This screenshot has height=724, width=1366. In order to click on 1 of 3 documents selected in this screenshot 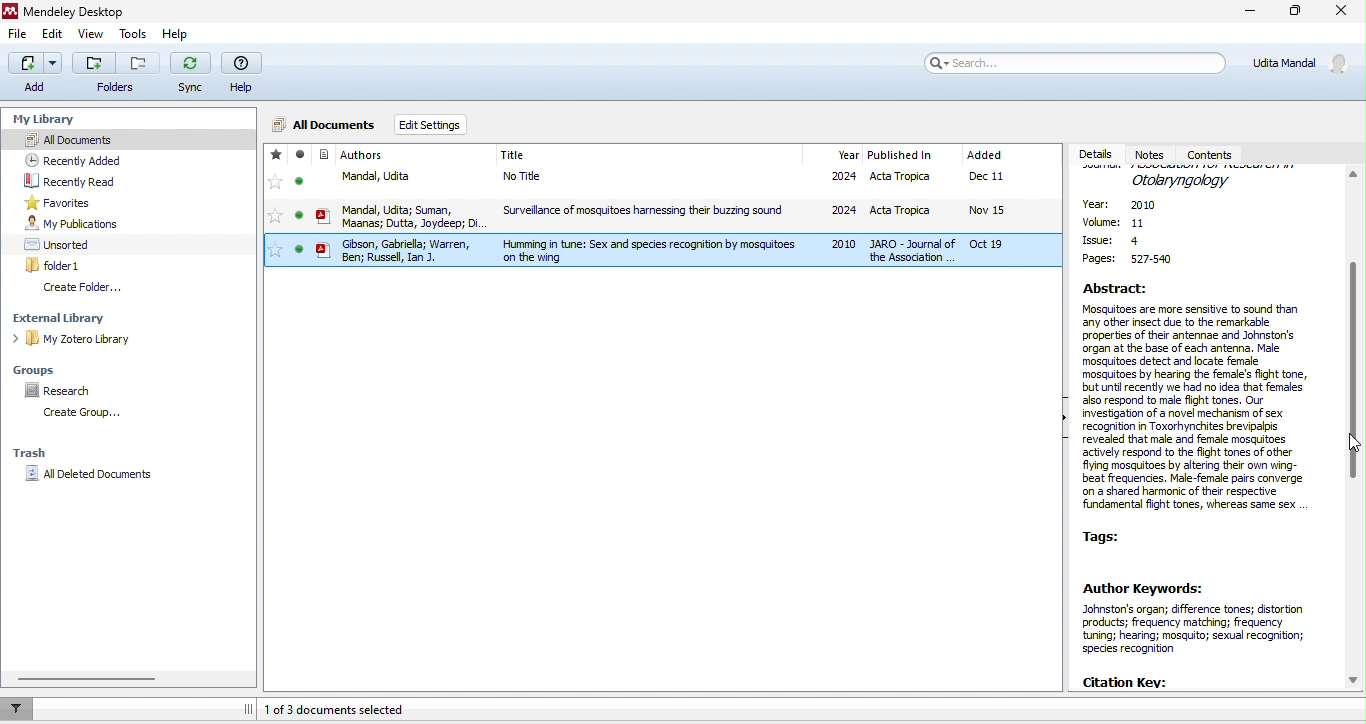, I will do `click(343, 709)`.